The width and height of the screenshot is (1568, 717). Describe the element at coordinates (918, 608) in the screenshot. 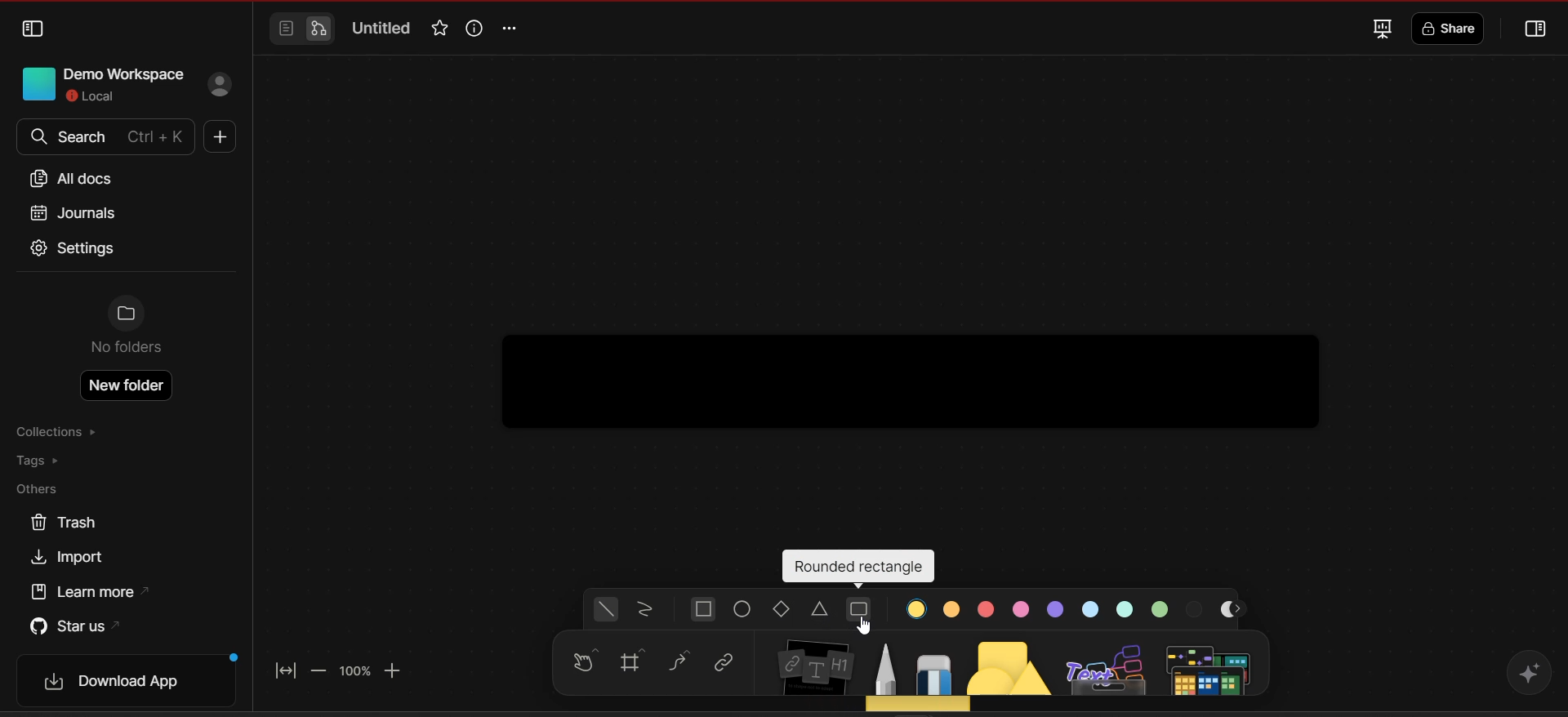

I see `color 1` at that location.